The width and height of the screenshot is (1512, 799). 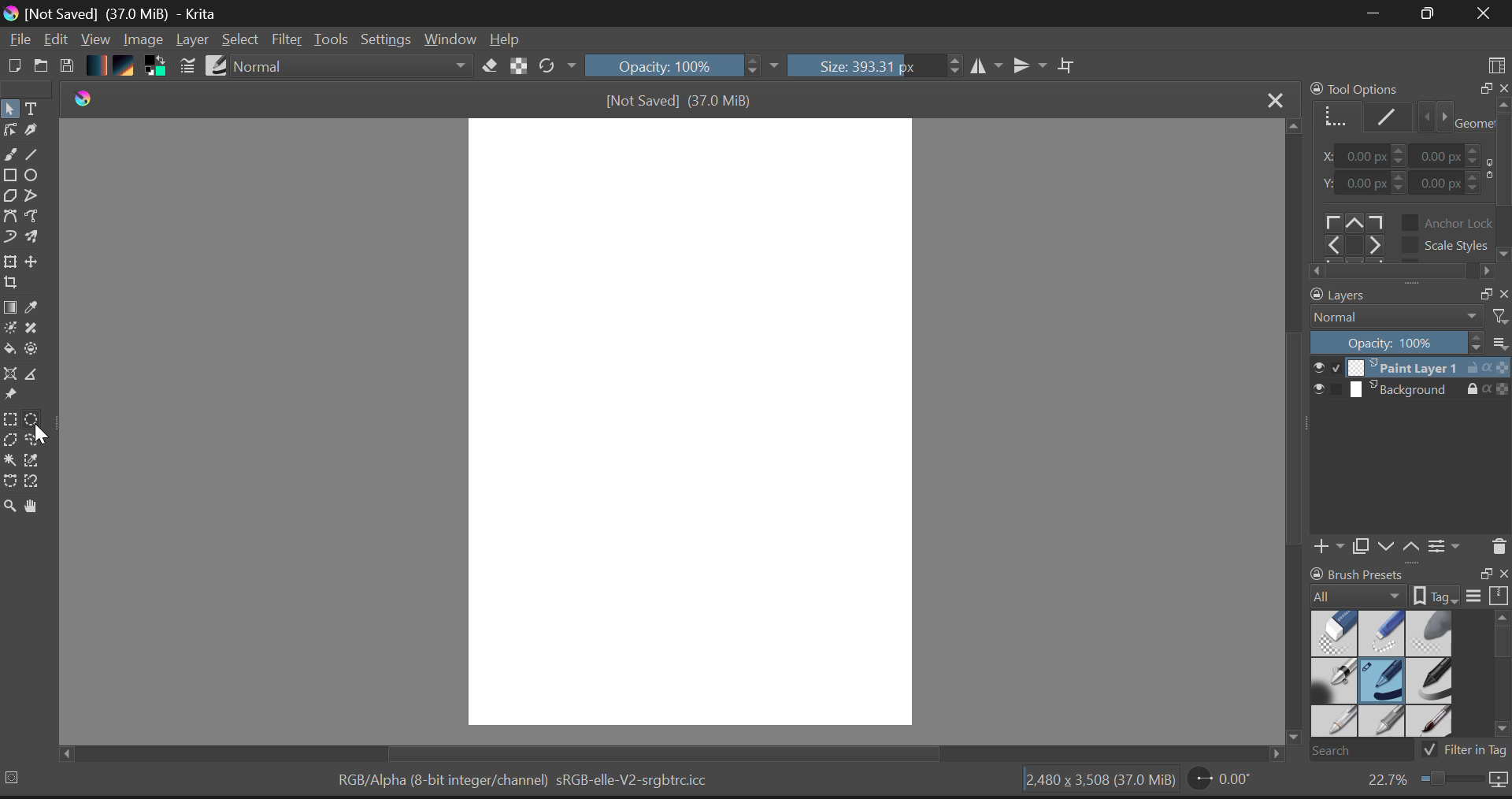 What do you see at coordinates (506, 39) in the screenshot?
I see `Help` at bounding box center [506, 39].